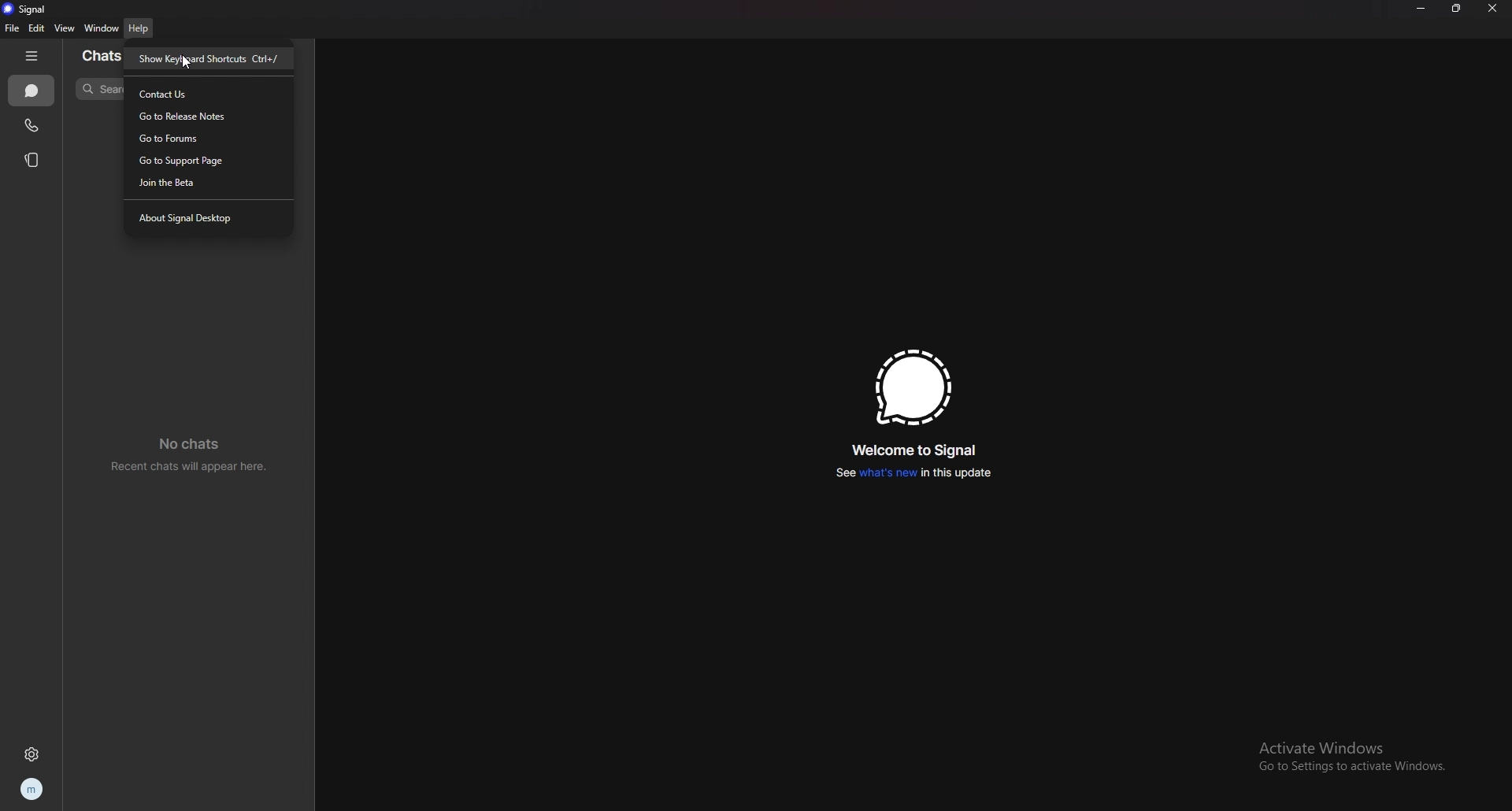  I want to click on contact us, so click(200, 94).